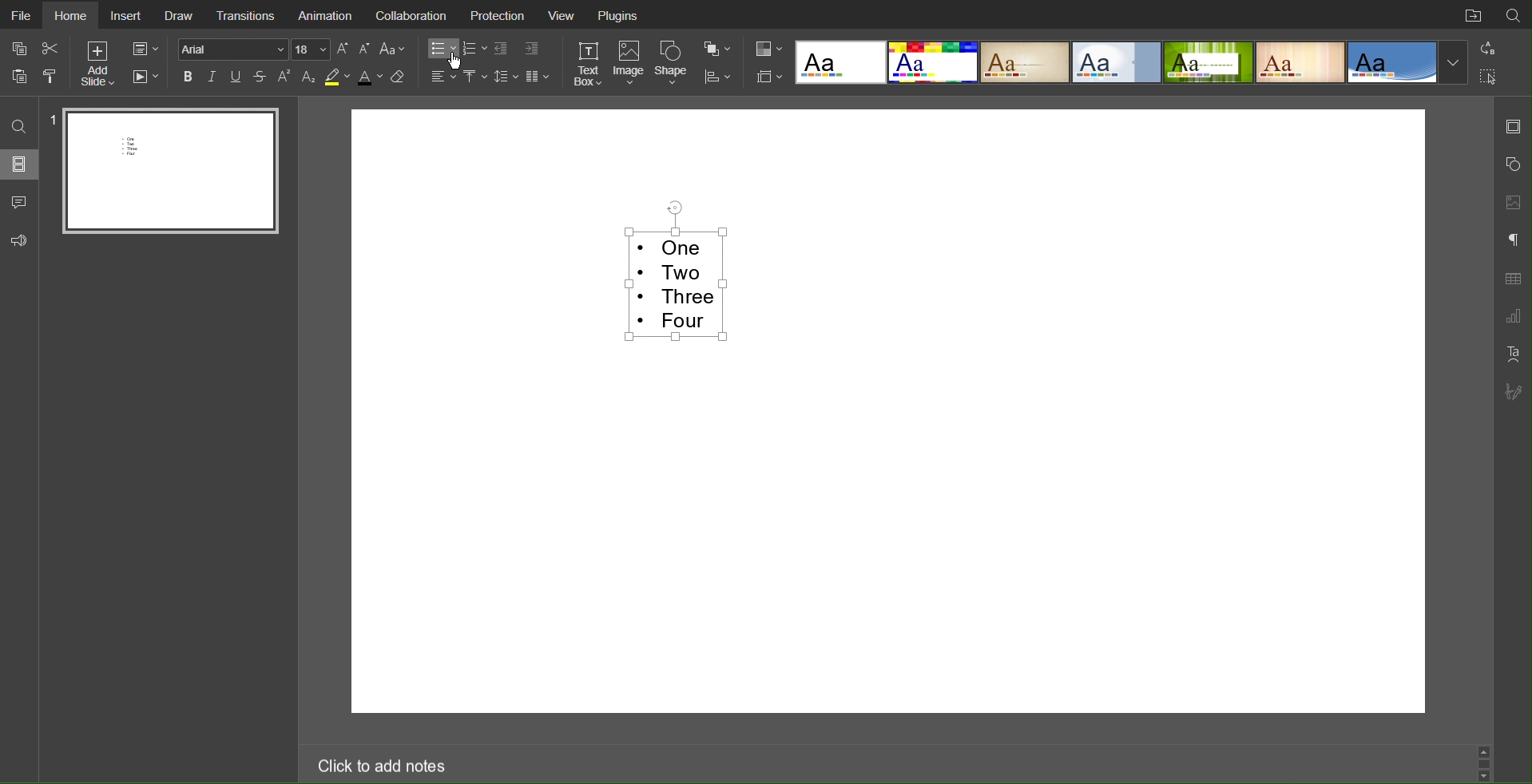 The image size is (1532, 784). What do you see at coordinates (506, 76) in the screenshot?
I see `Line Spacing` at bounding box center [506, 76].